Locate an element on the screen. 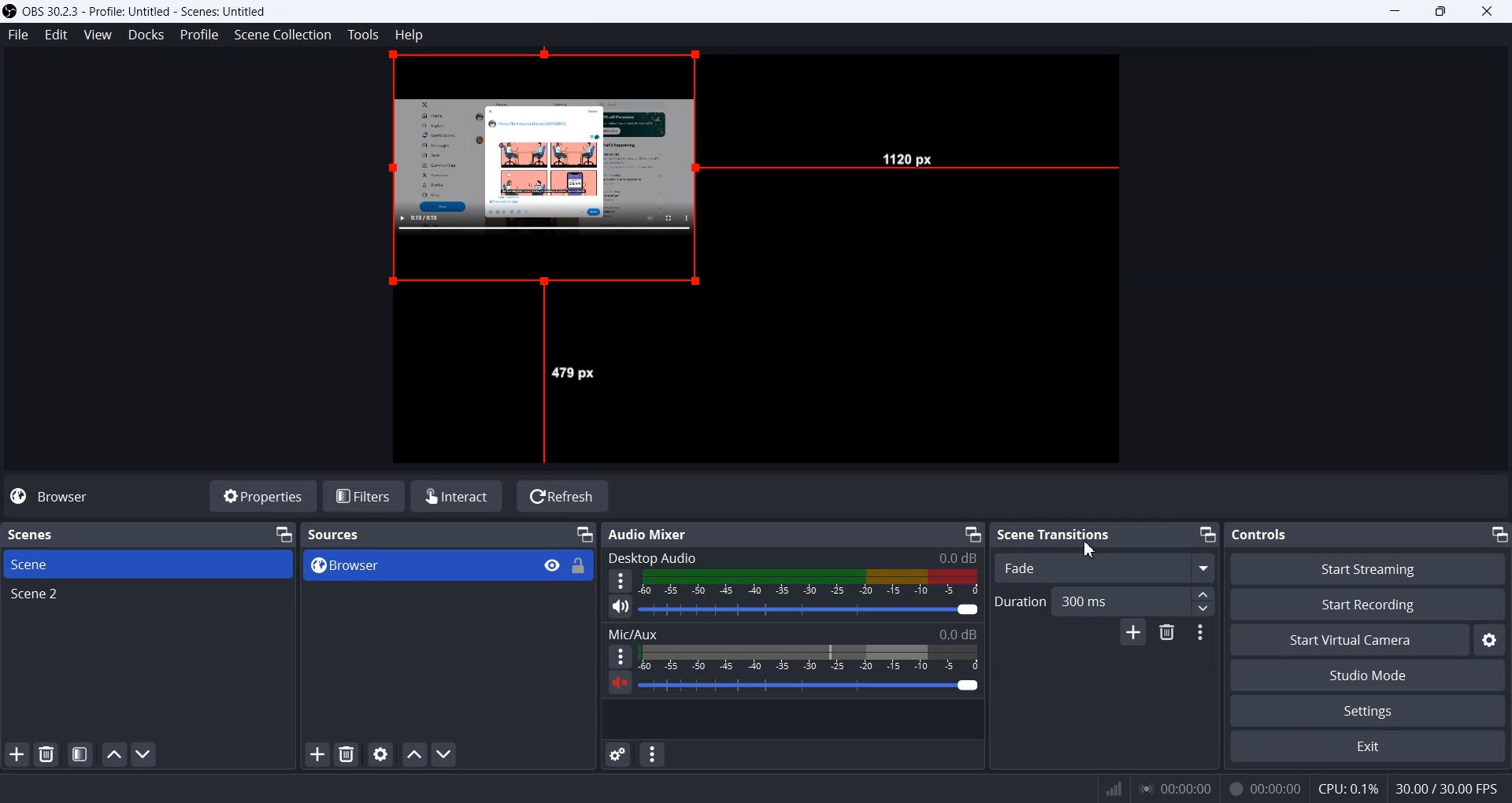  Exit is located at coordinates (1369, 746).